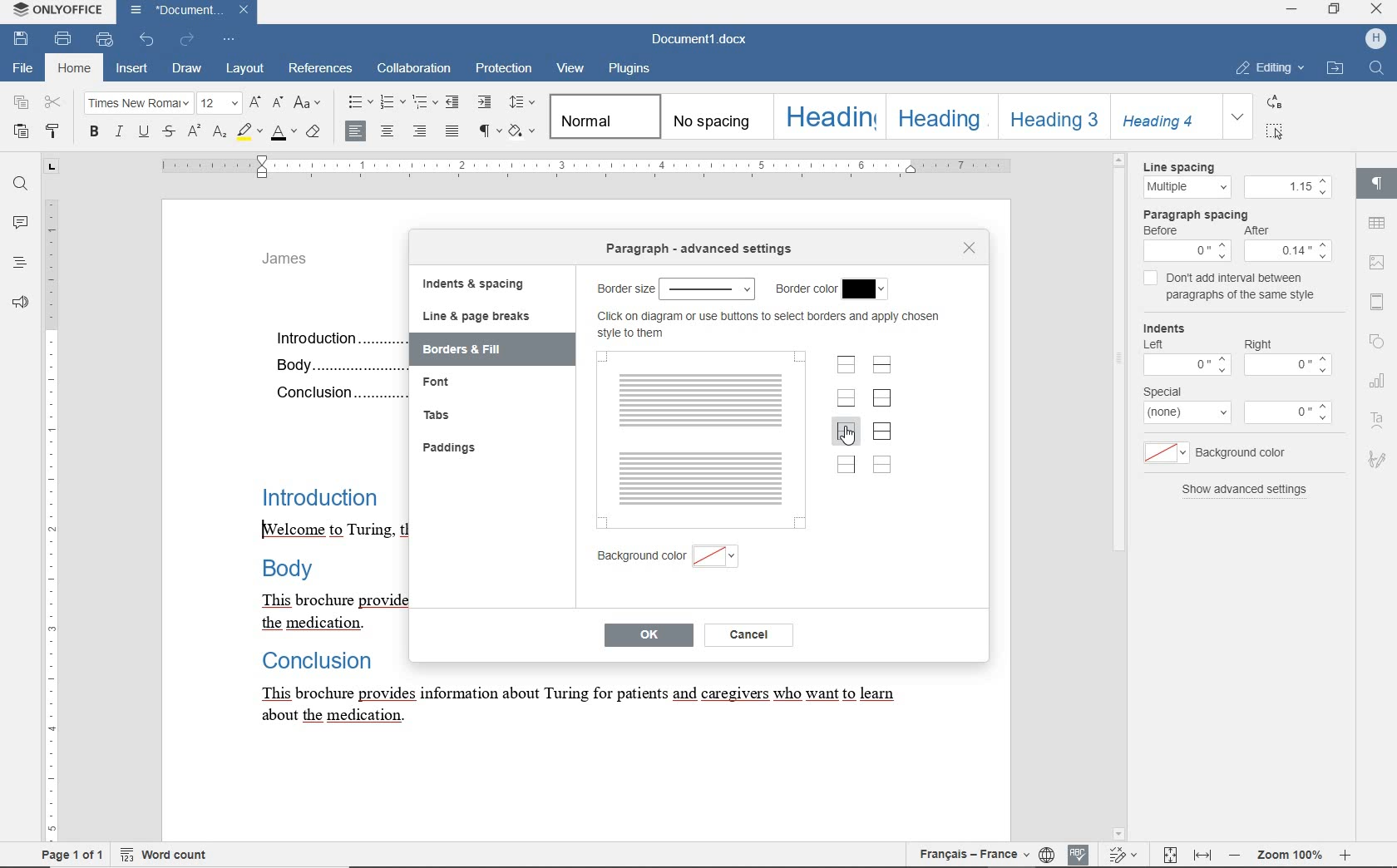 The width and height of the screenshot is (1397, 868). Describe the element at coordinates (1049, 117) in the screenshot. I see `heading 3` at that location.